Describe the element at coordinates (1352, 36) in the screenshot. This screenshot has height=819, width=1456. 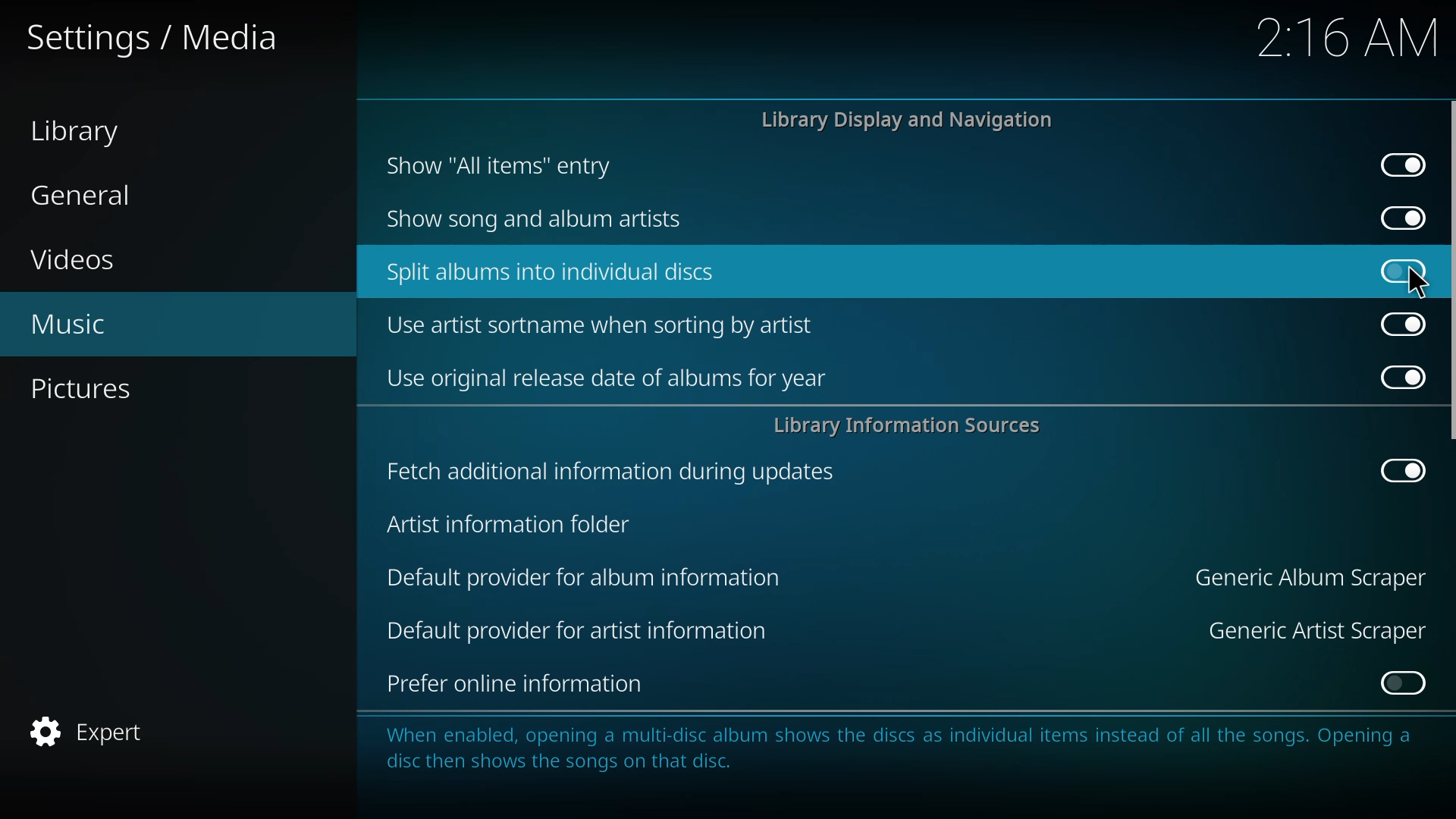
I see `time` at that location.